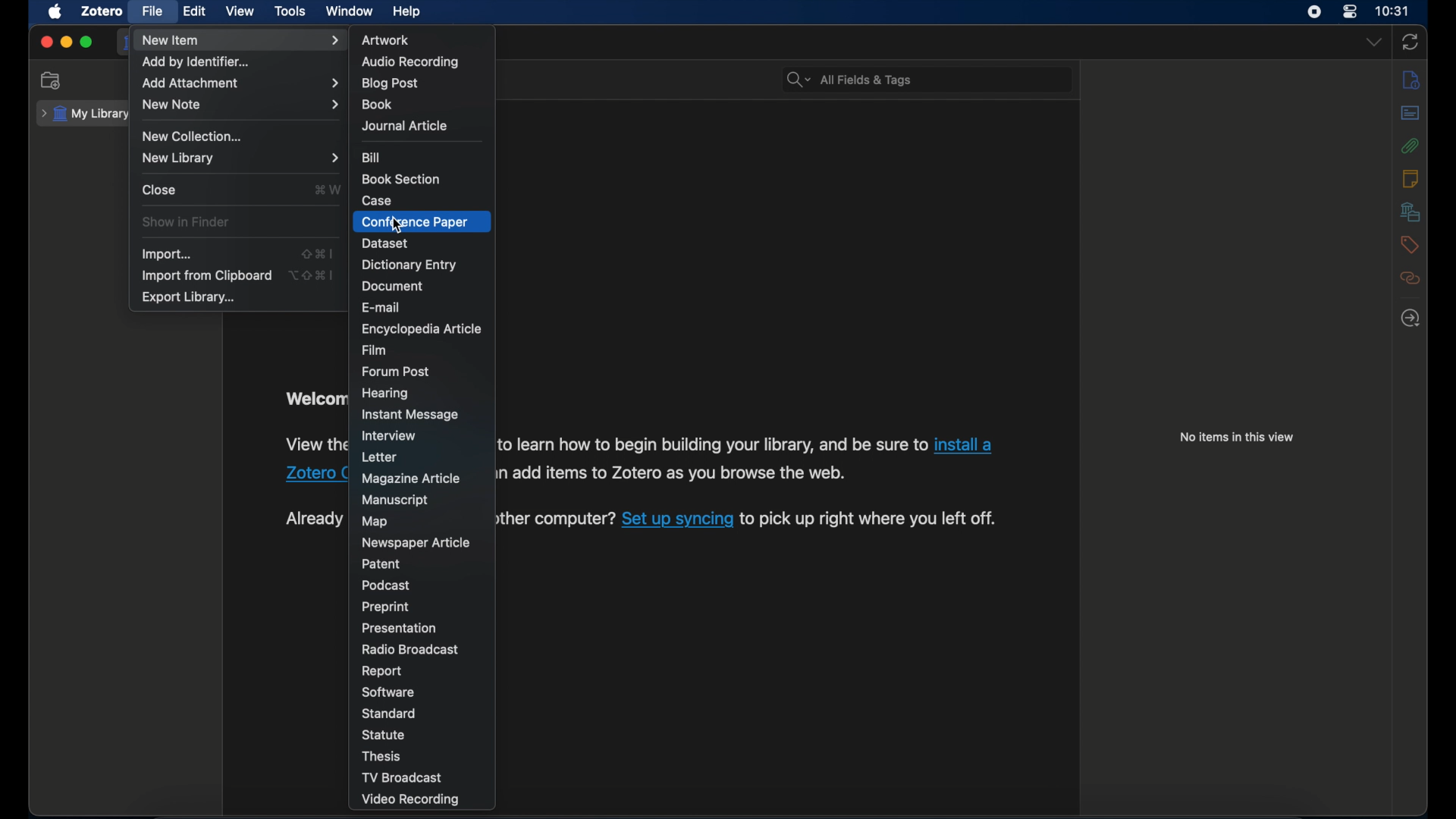 The height and width of the screenshot is (819, 1456). I want to click on map, so click(376, 522).